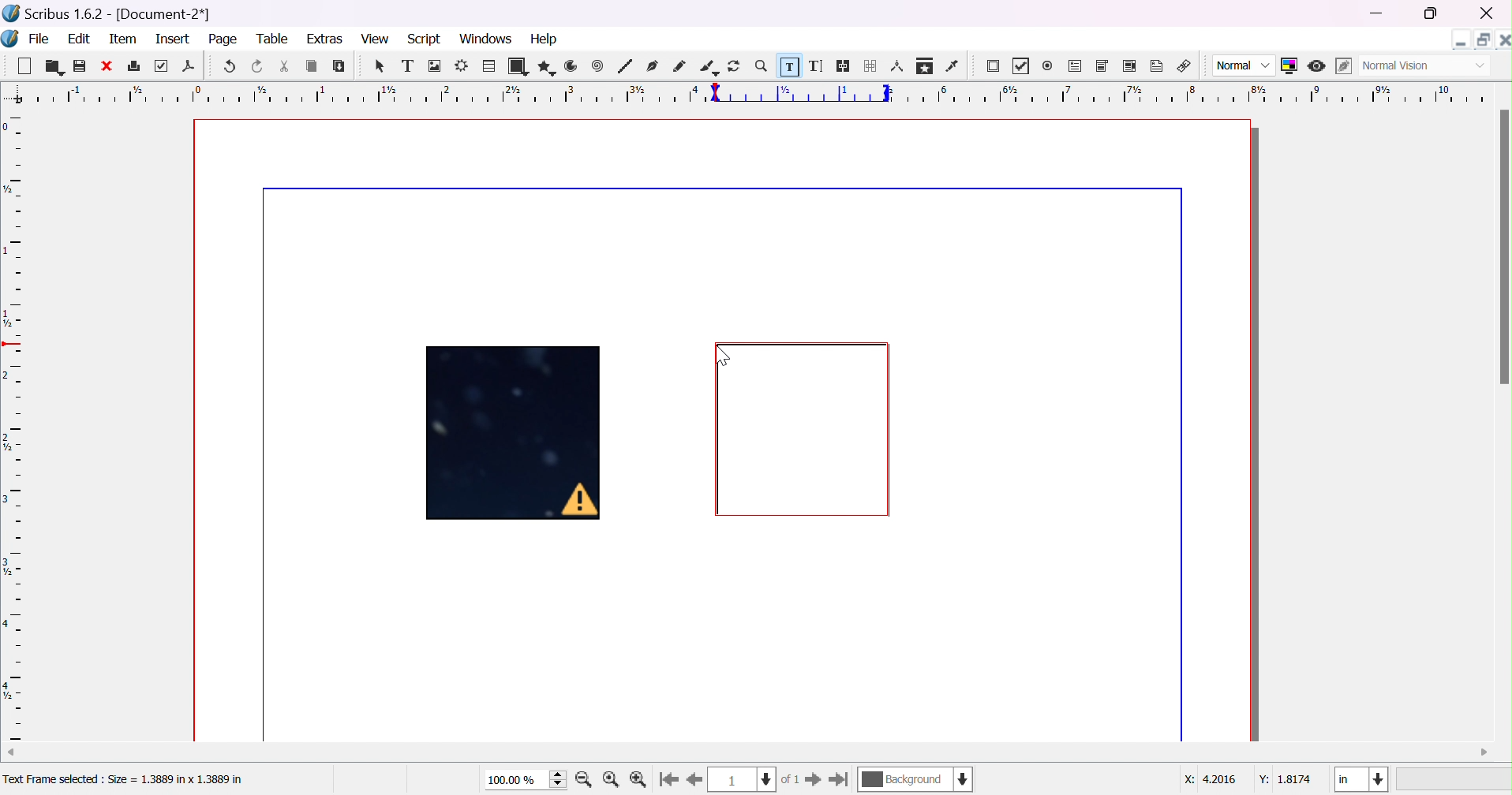 The image size is (1512, 795). Describe the element at coordinates (79, 38) in the screenshot. I see `edit` at that location.